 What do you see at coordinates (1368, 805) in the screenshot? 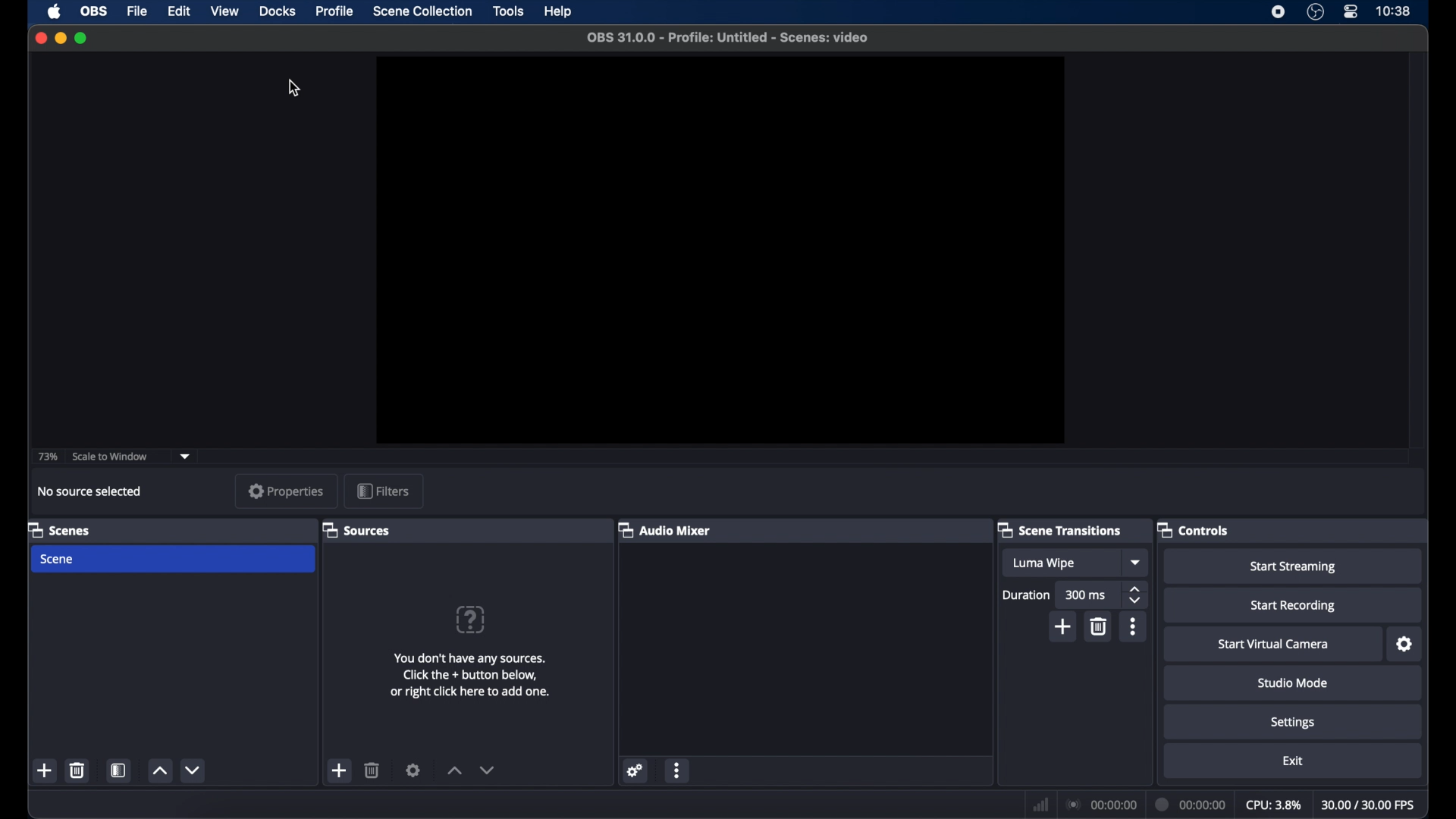
I see `30.00/30.00 fps` at bounding box center [1368, 805].